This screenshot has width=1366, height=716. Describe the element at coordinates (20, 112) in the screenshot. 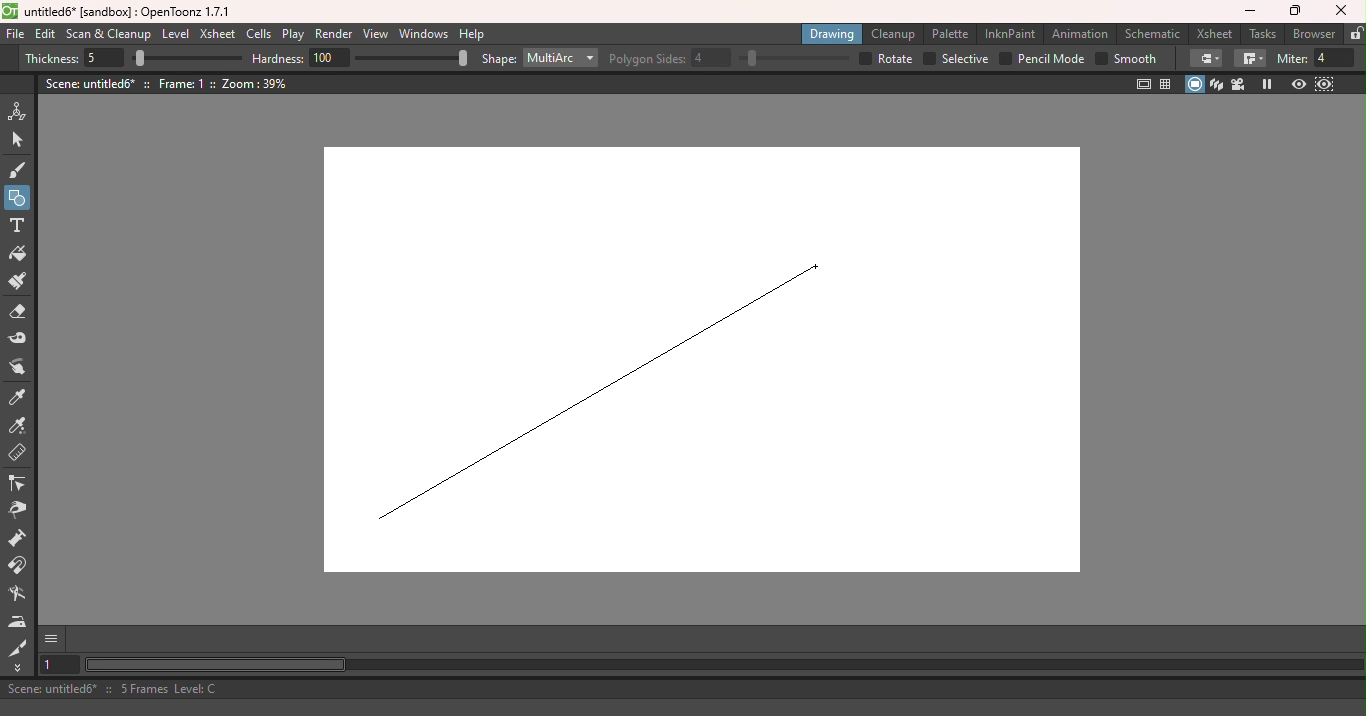

I see `Animate tool` at that location.